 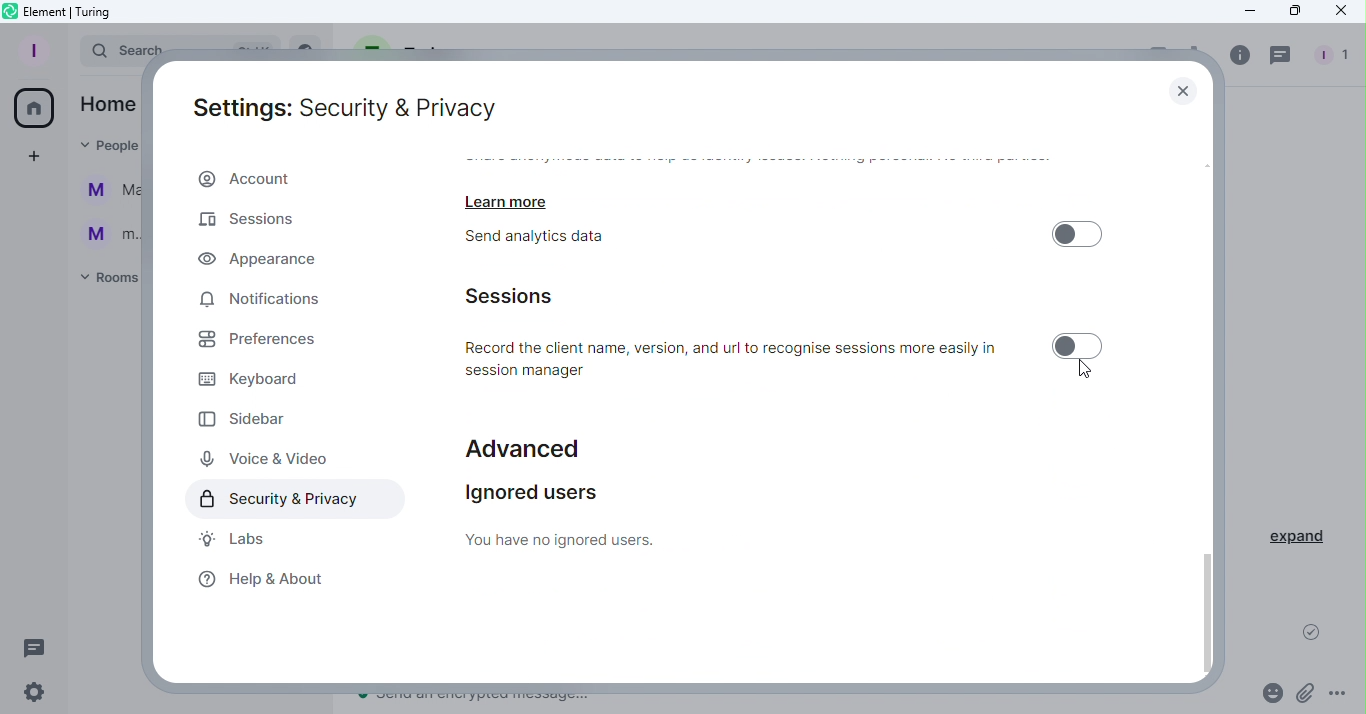 I want to click on Labs, so click(x=233, y=539).